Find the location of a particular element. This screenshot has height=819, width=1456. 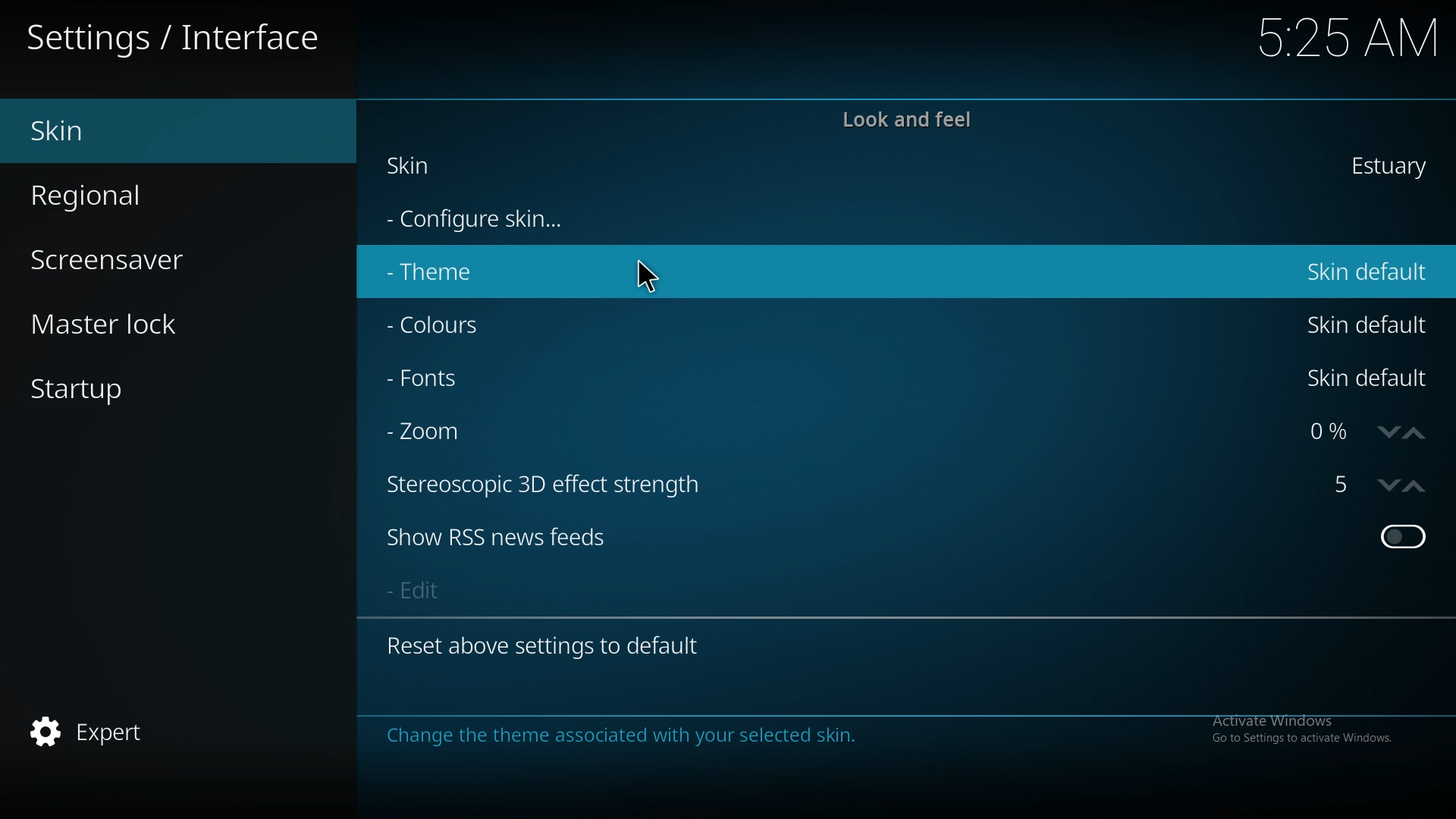

reset is located at coordinates (548, 644).